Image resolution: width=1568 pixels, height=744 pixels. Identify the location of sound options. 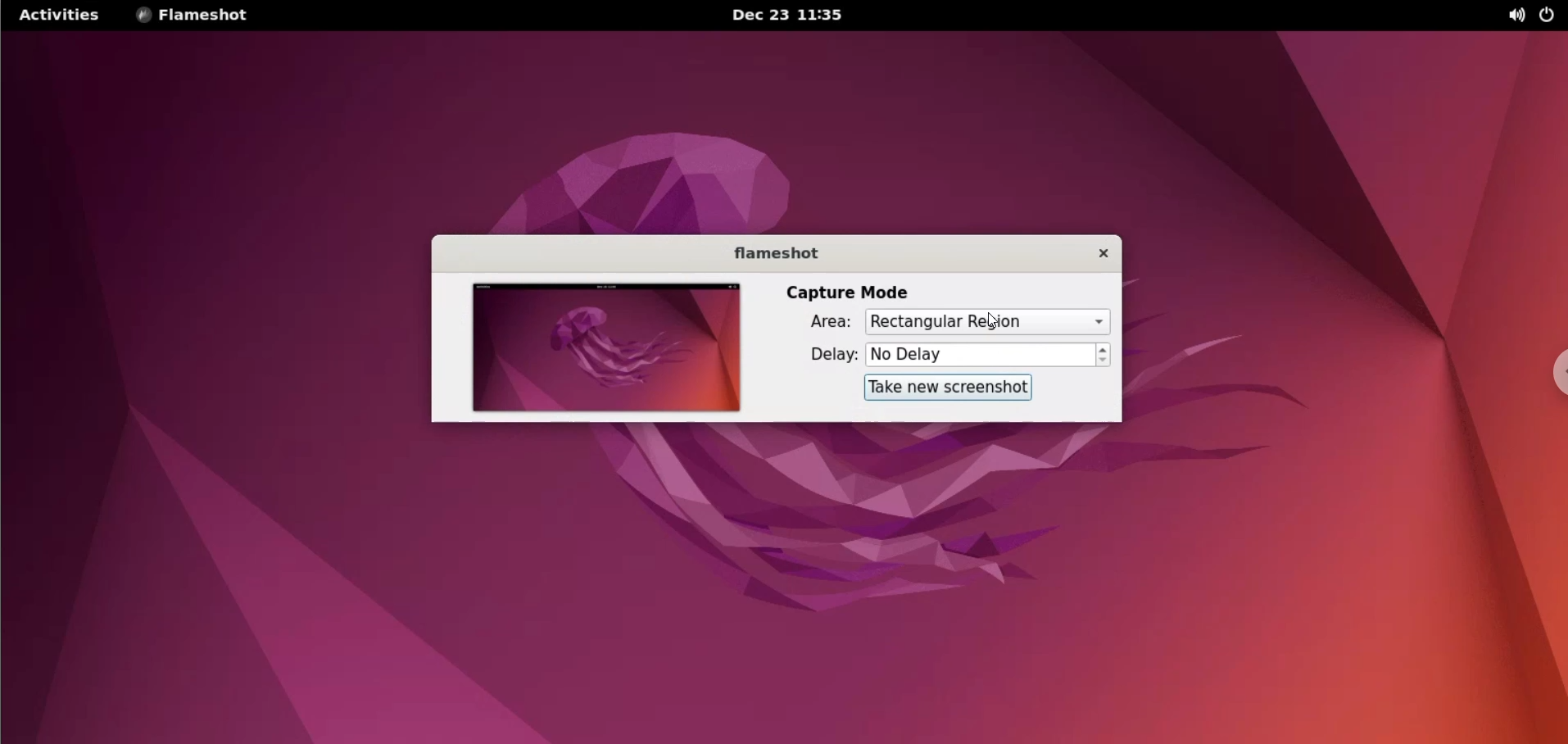
(1515, 16).